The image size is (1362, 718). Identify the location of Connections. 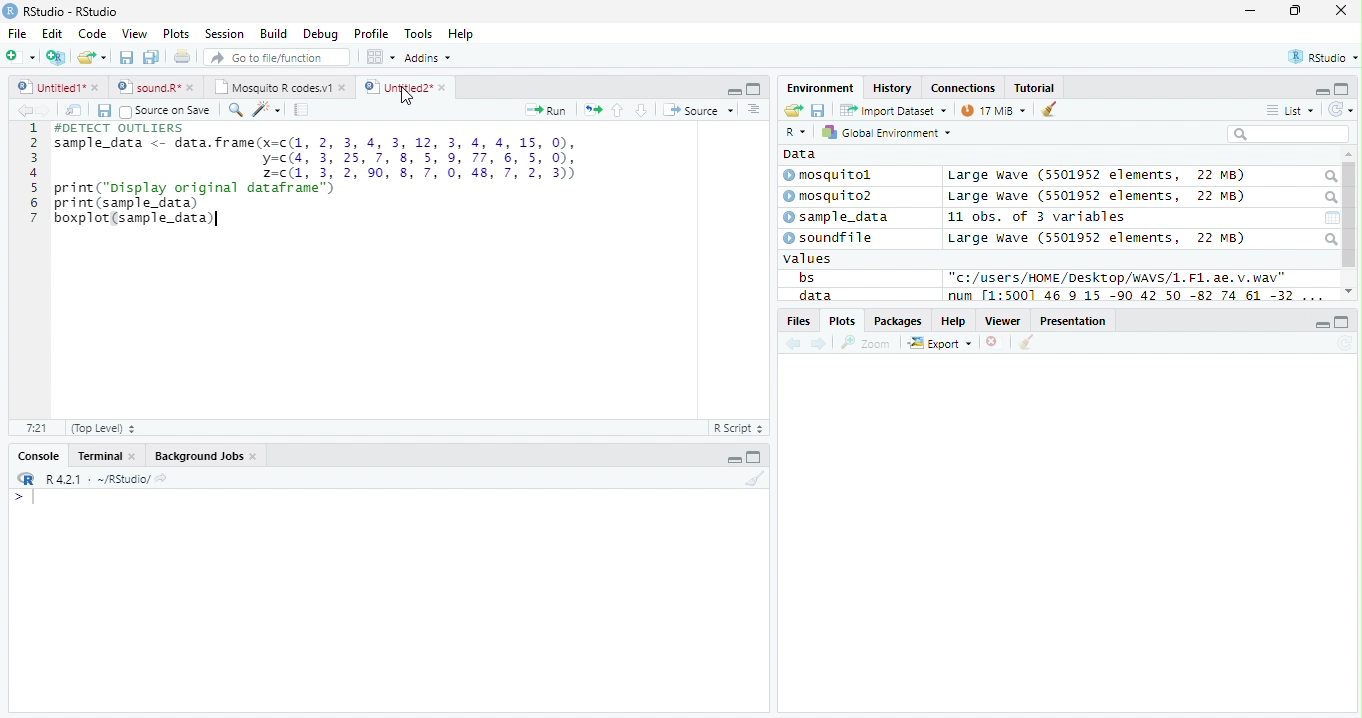
(964, 87).